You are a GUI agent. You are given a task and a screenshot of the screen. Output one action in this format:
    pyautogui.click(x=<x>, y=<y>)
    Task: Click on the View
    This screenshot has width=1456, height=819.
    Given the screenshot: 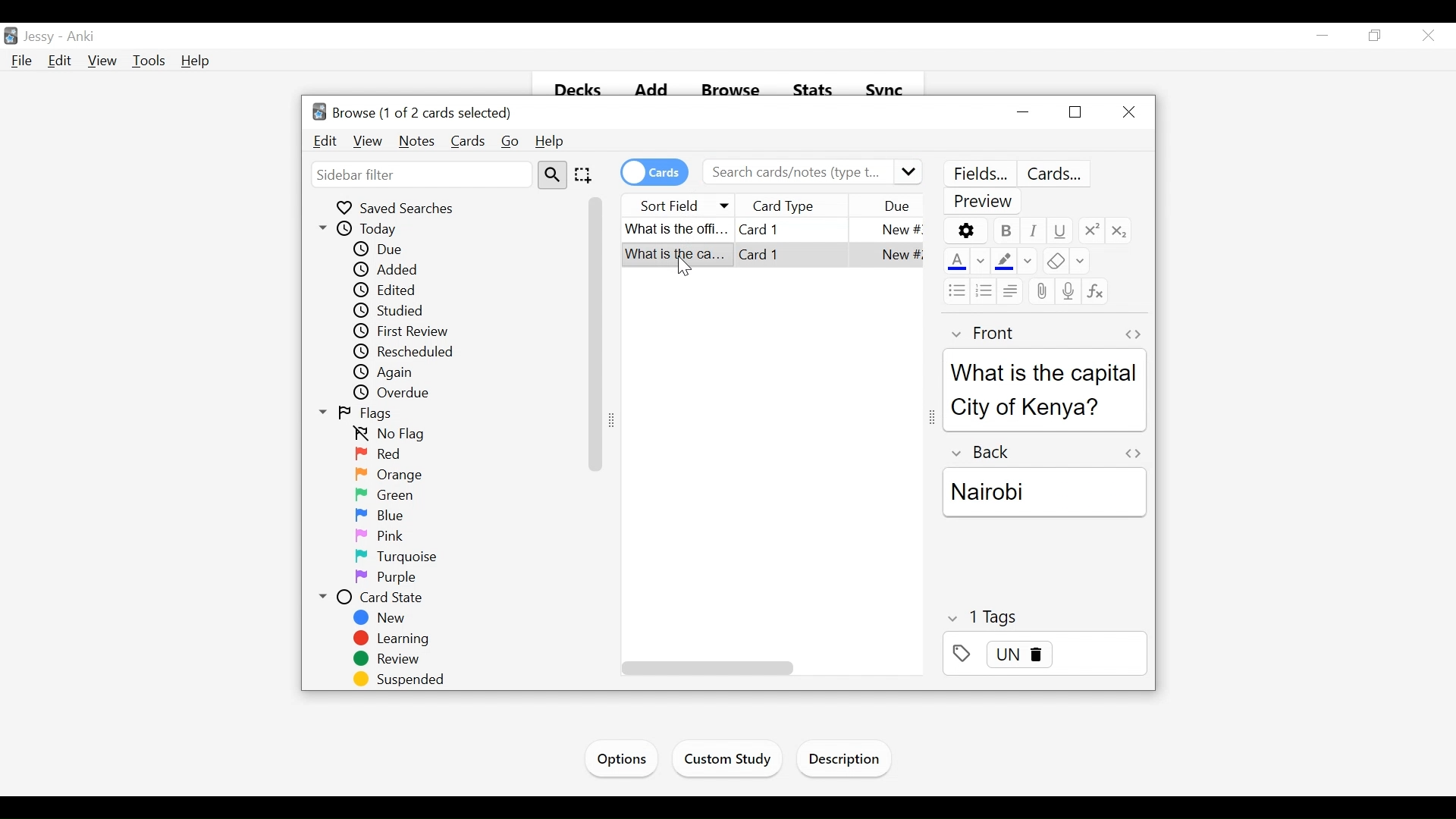 What is the action you would take?
    pyautogui.click(x=103, y=61)
    